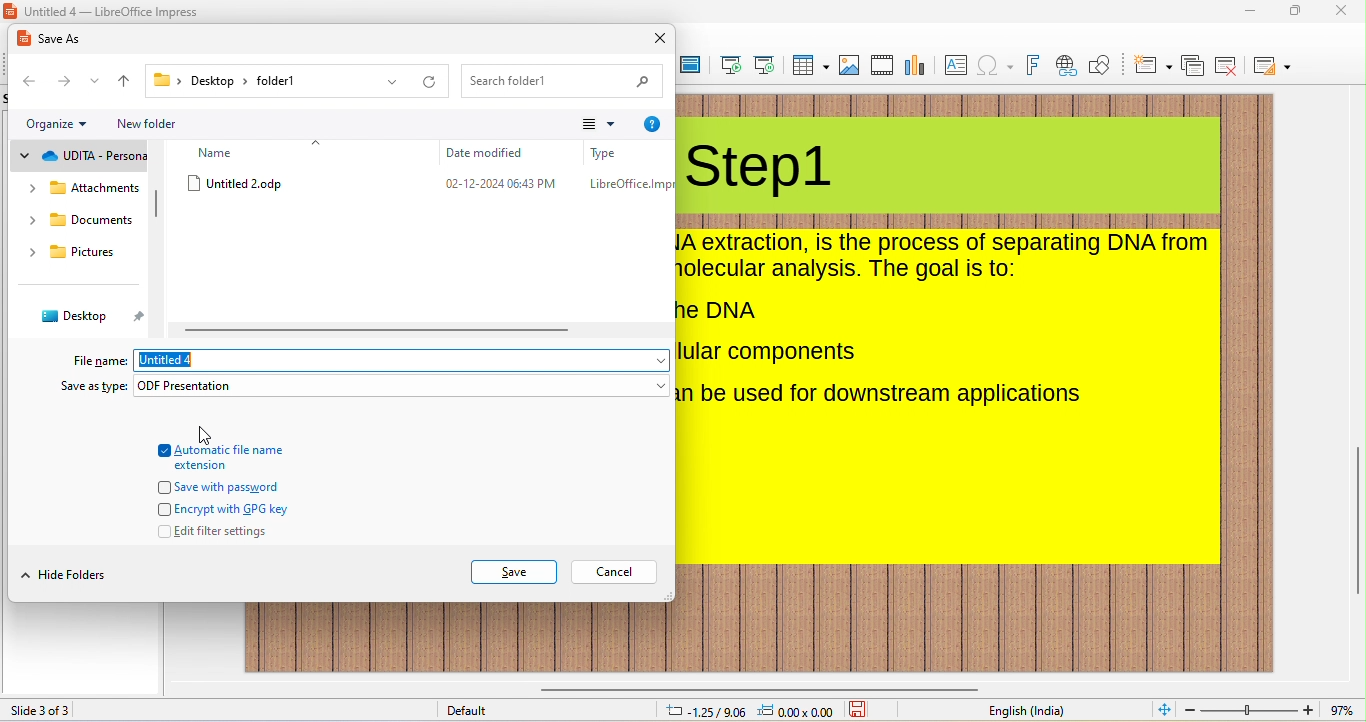  I want to click on Checkbox, so click(163, 509).